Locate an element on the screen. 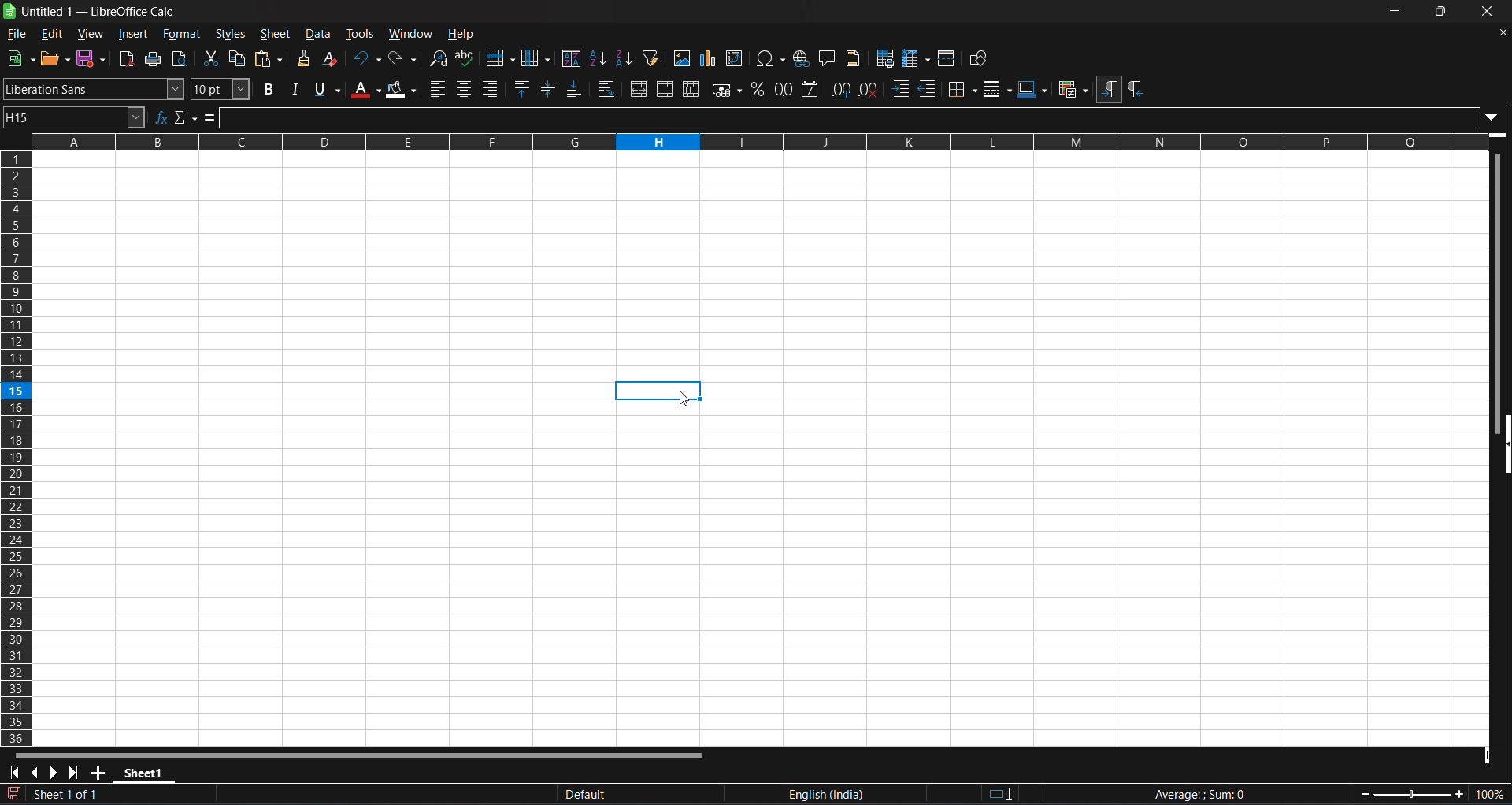 The width and height of the screenshot is (1512, 805). add new sheet is located at coordinates (100, 771).